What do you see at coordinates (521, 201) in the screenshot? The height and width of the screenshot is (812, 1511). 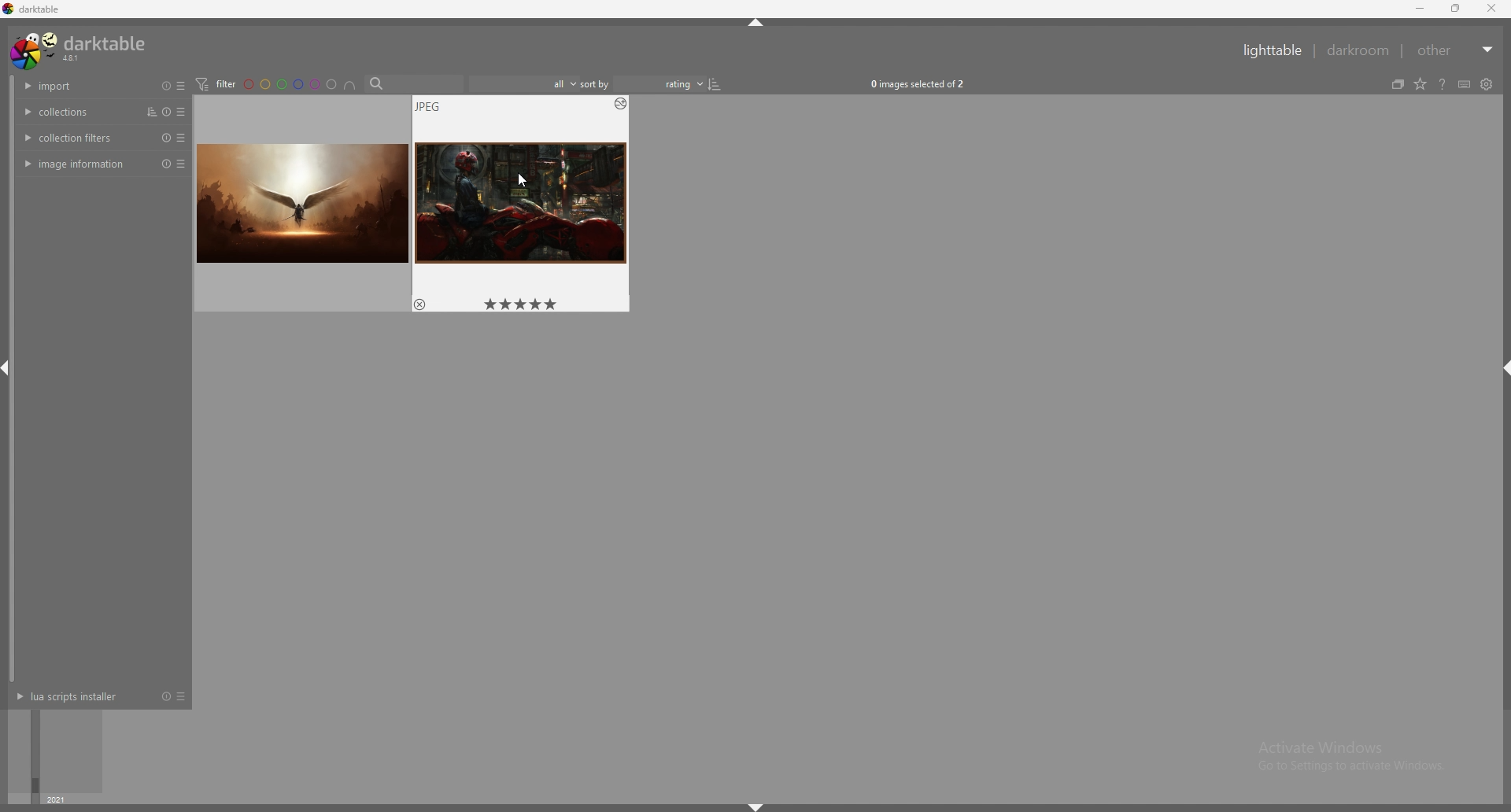 I see `image` at bounding box center [521, 201].